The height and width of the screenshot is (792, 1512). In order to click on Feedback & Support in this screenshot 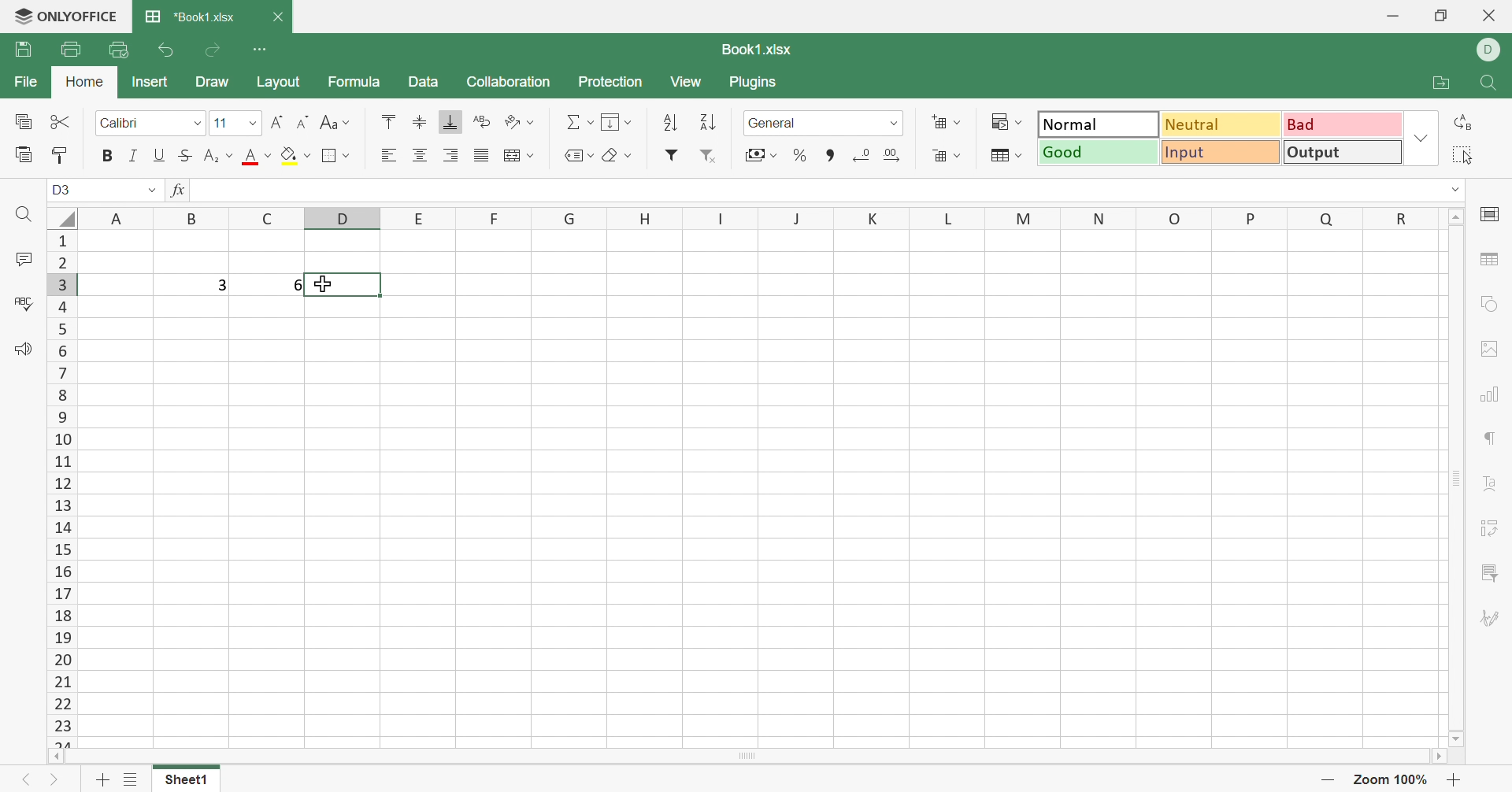, I will do `click(24, 348)`.